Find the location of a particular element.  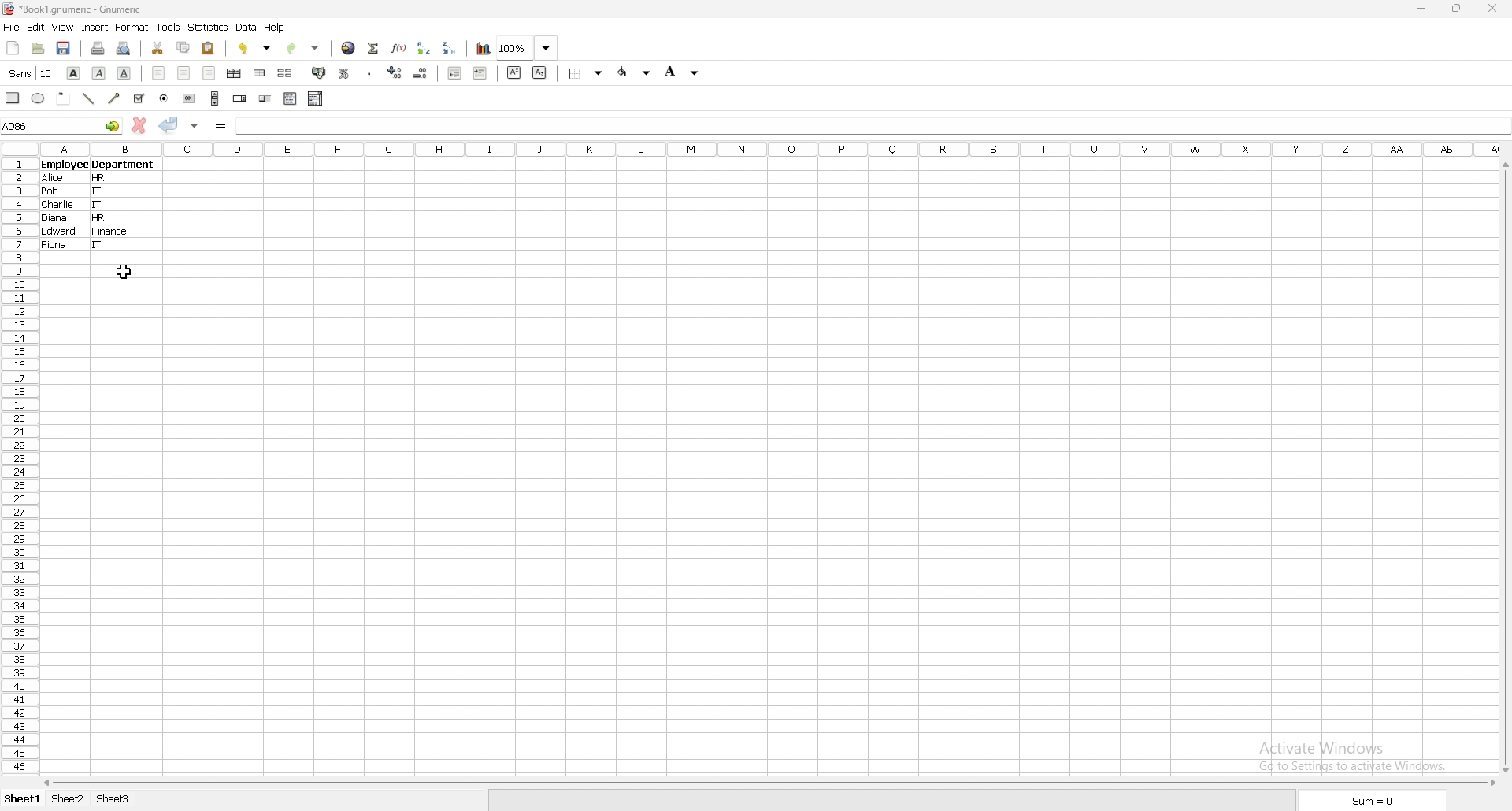

right align is located at coordinates (209, 74).